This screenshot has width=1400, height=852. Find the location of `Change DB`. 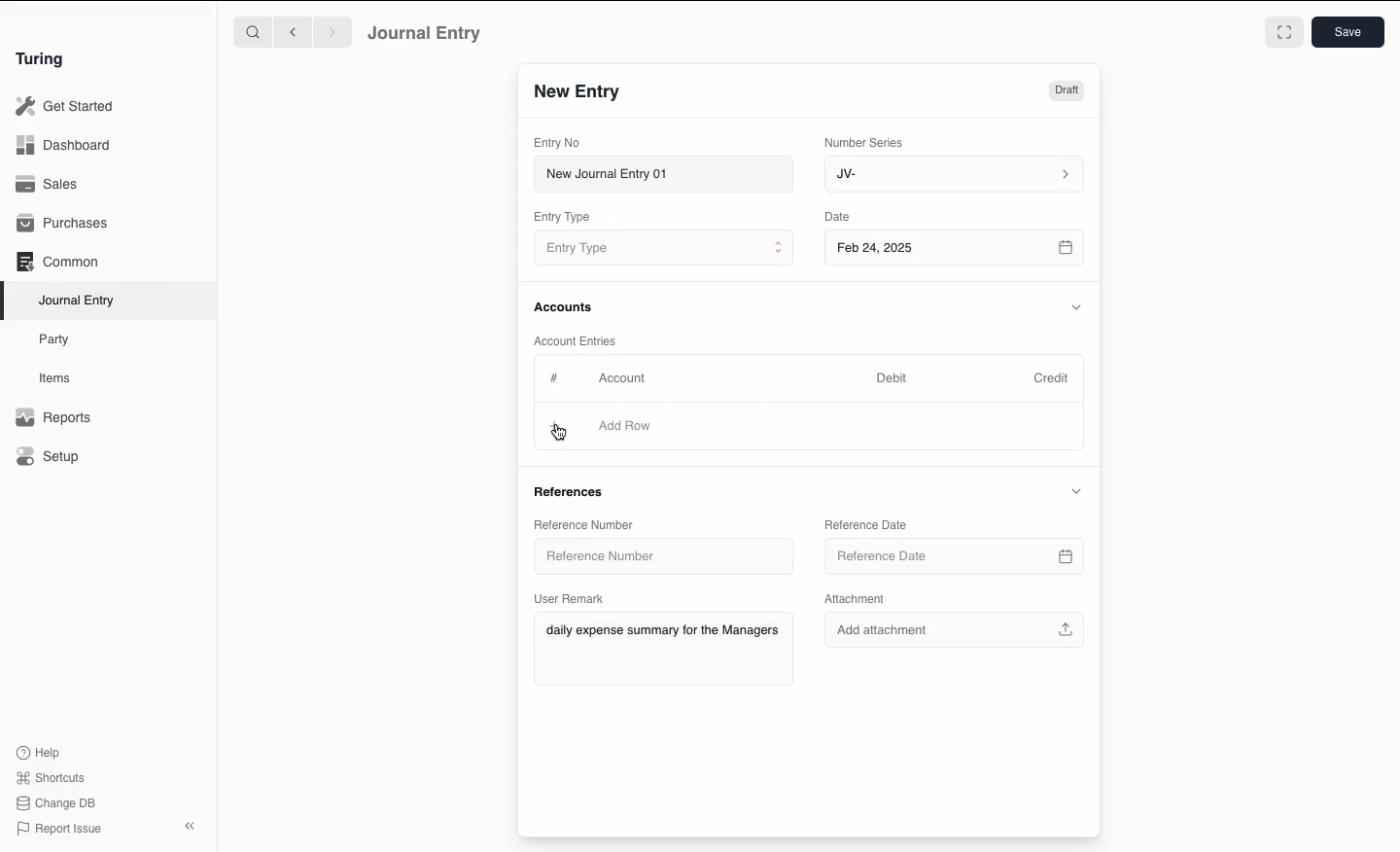

Change DB is located at coordinates (55, 803).